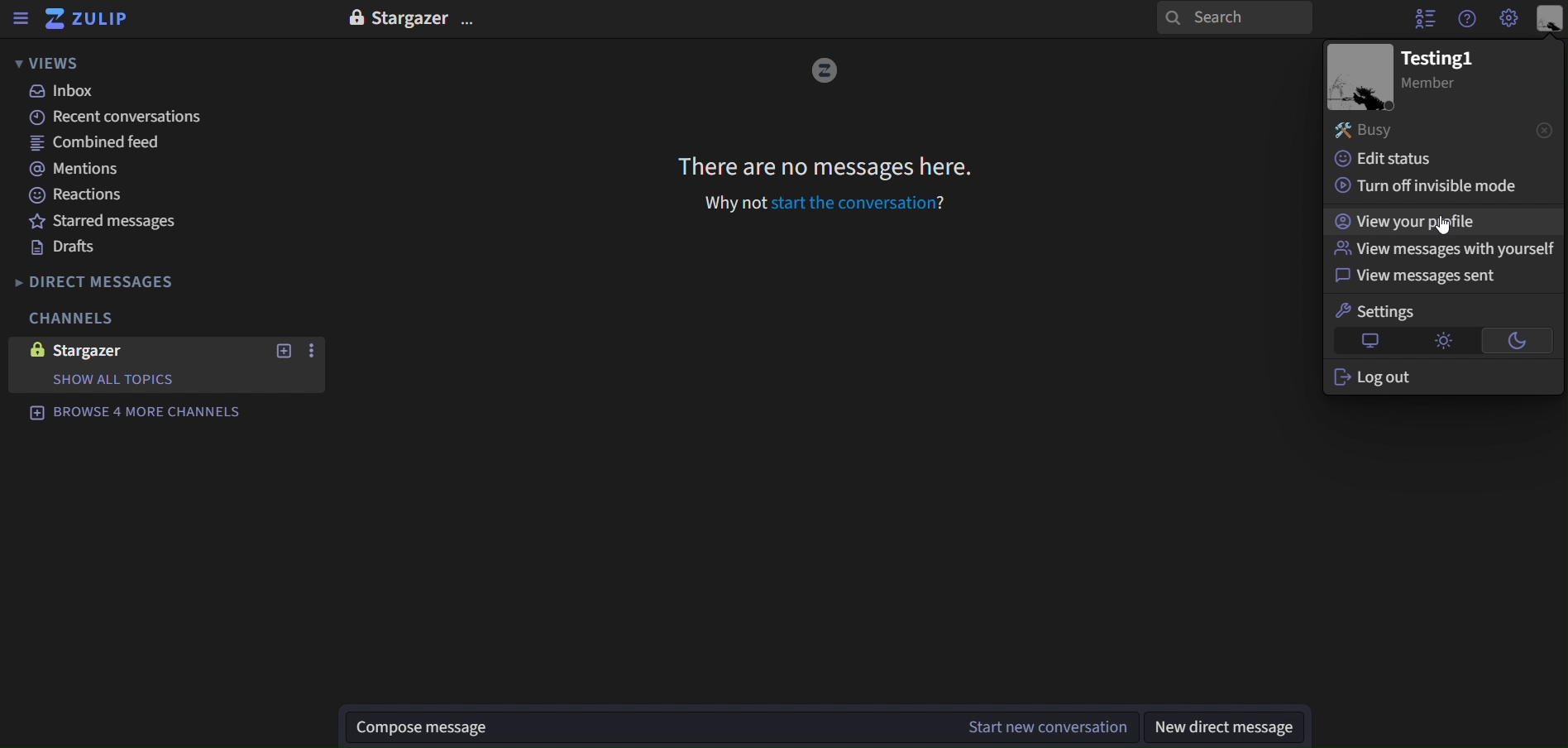 This screenshot has width=1568, height=748. Describe the element at coordinates (1420, 19) in the screenshot. I see `hide user list` at that location.